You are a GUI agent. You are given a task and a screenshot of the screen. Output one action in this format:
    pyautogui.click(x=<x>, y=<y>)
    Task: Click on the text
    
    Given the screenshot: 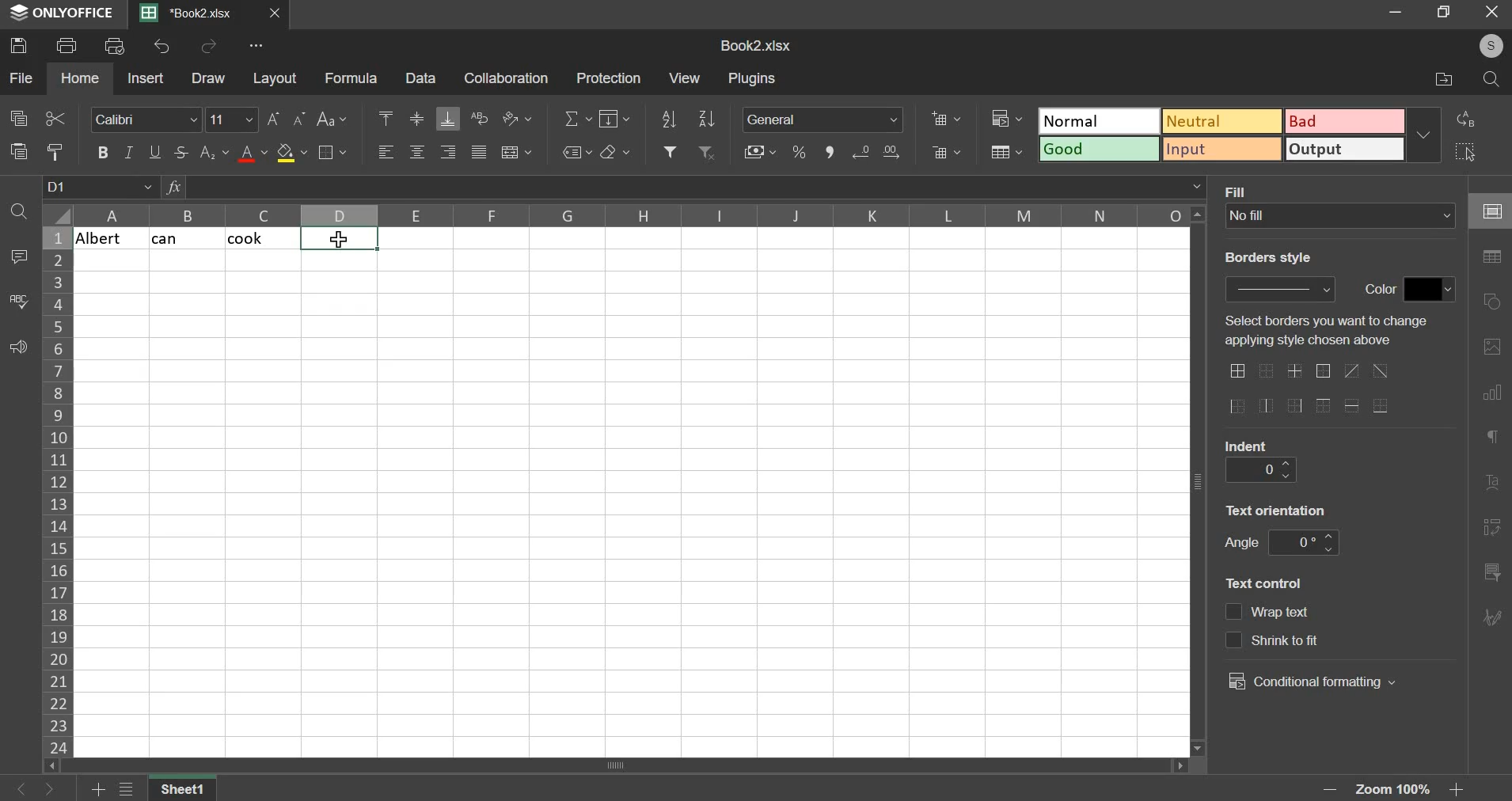 What is the action you would take?
    pyautogui.click(x=1287, y=643)
    